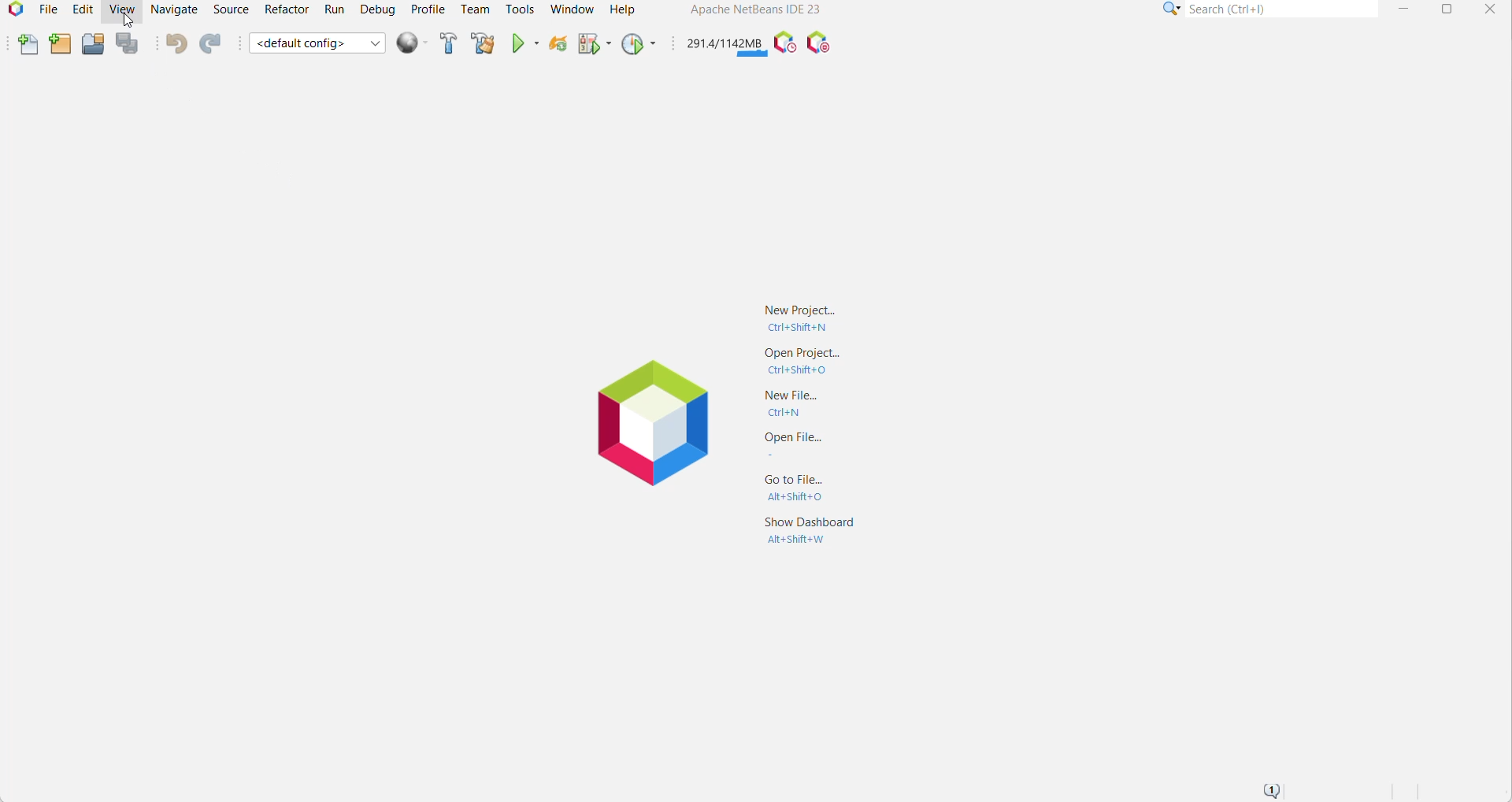  What do you see at coordinates (784, 43) in the screenshot?
I see `Profile the IDE` at bounding box center [784, 43].